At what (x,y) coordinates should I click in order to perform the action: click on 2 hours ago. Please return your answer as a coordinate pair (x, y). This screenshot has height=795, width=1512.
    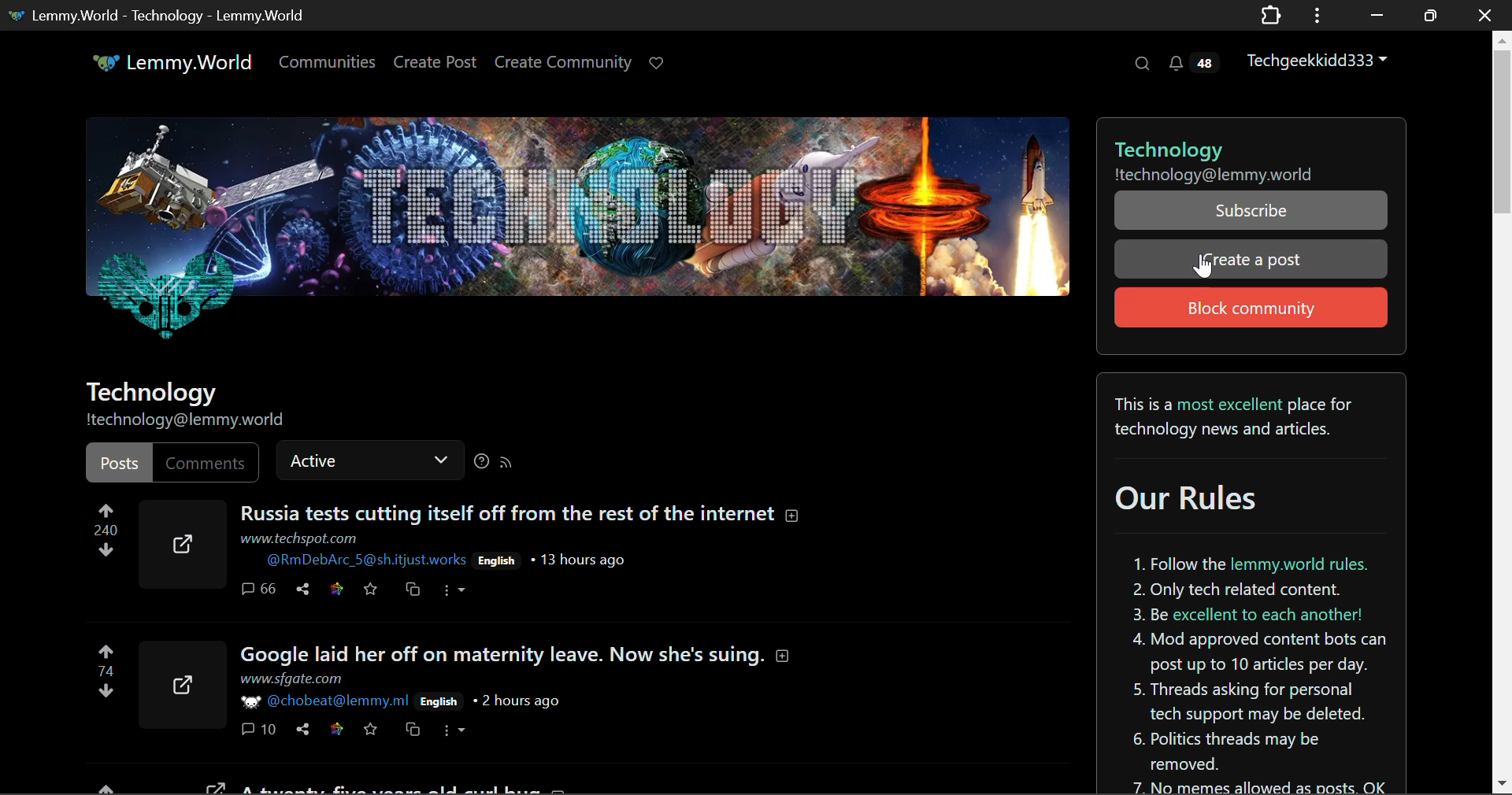
    Looking at the image, I should click on (521, 701).